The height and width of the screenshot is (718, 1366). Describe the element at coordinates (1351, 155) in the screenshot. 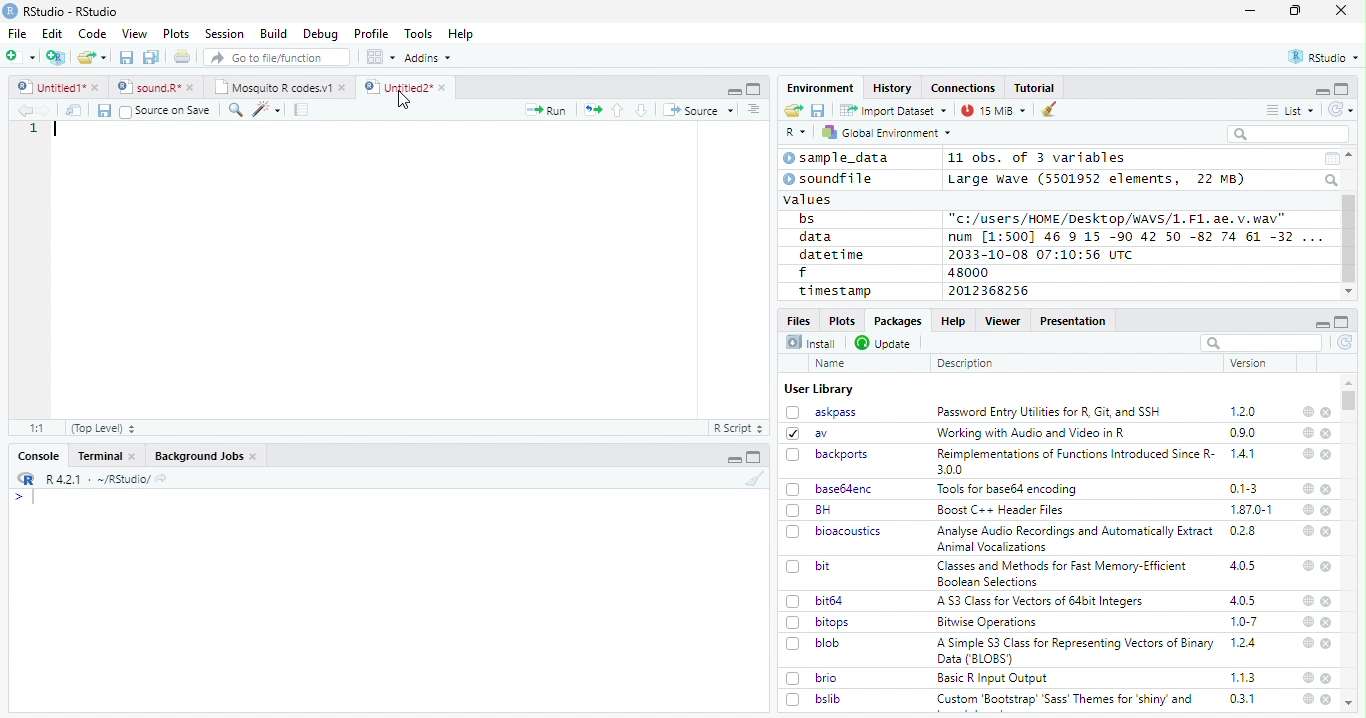

I see `scroll up` at that location.